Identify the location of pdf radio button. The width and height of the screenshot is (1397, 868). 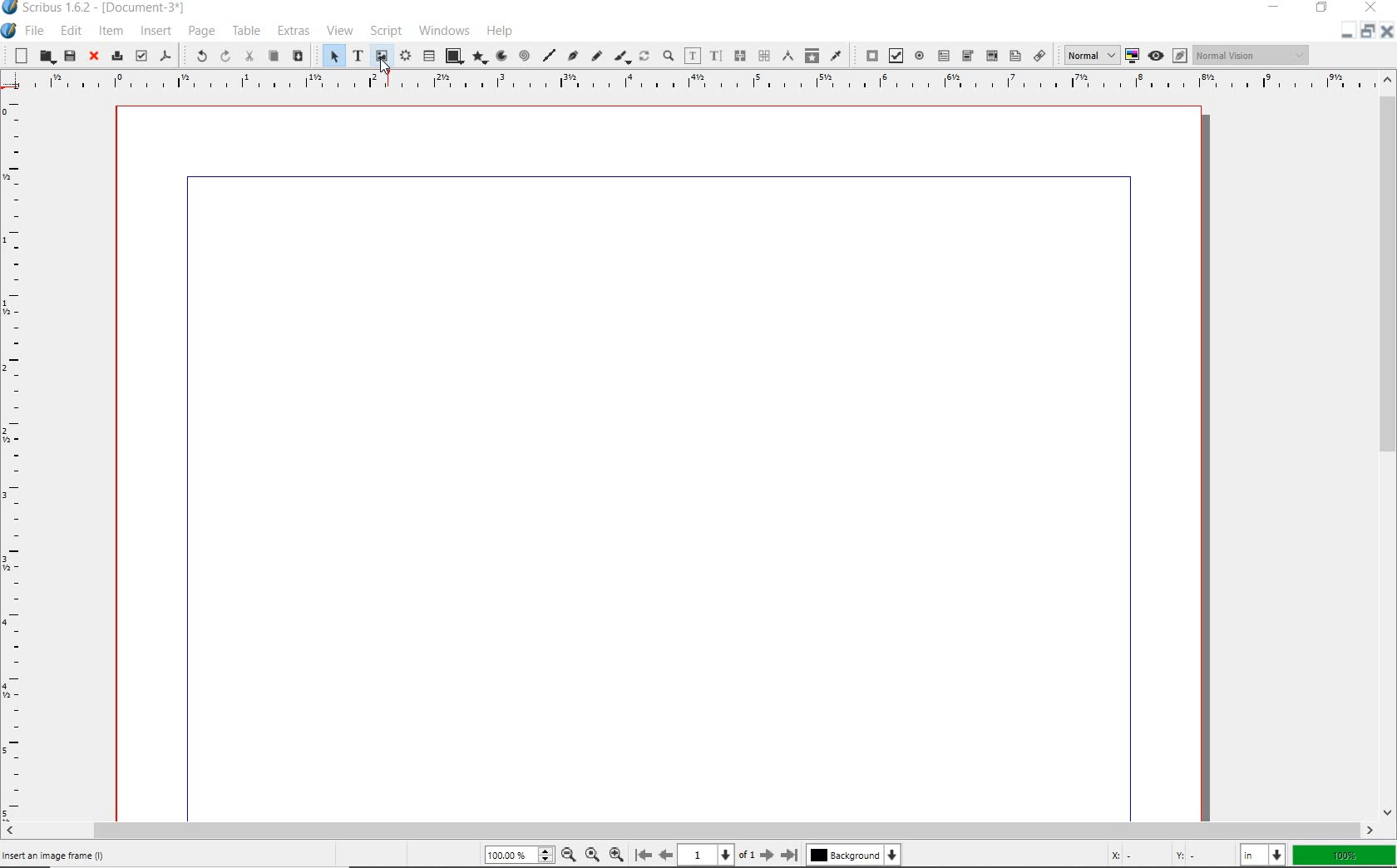
(921, 56).